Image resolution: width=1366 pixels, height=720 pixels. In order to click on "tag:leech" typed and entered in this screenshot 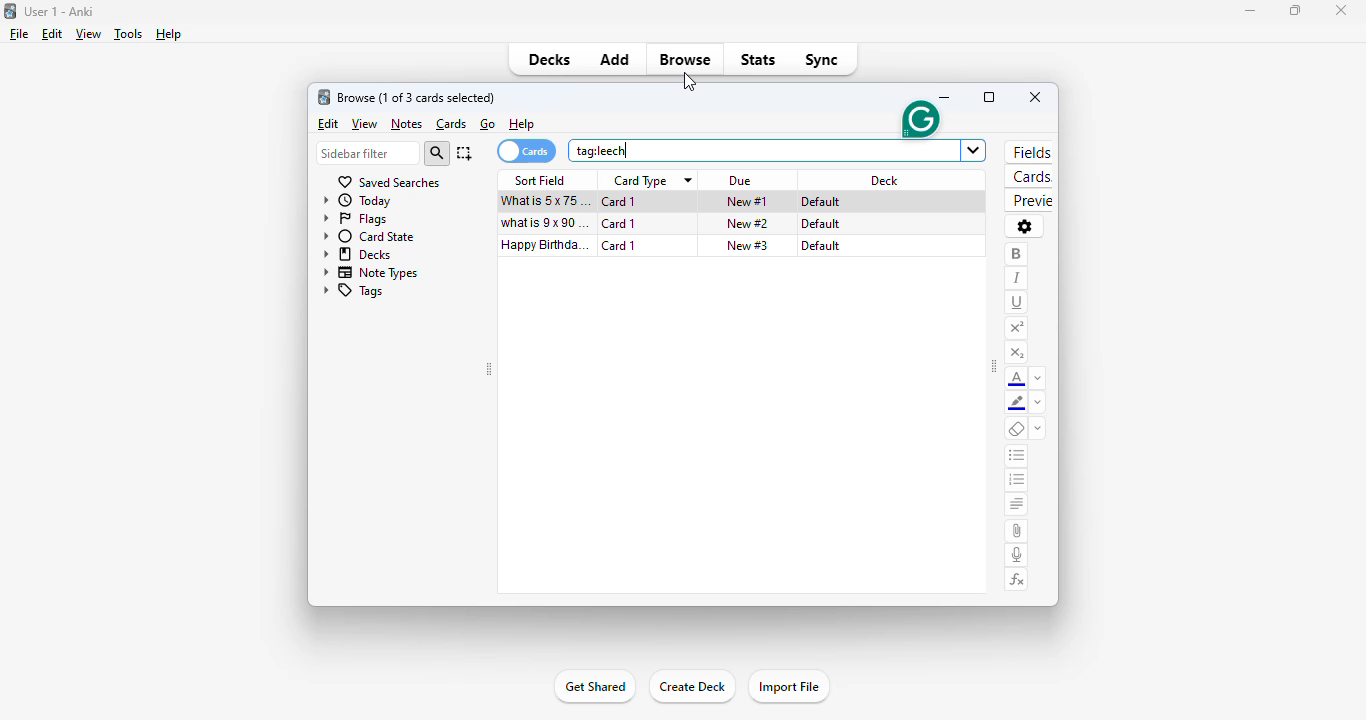, I will do `click(602, 150)`.